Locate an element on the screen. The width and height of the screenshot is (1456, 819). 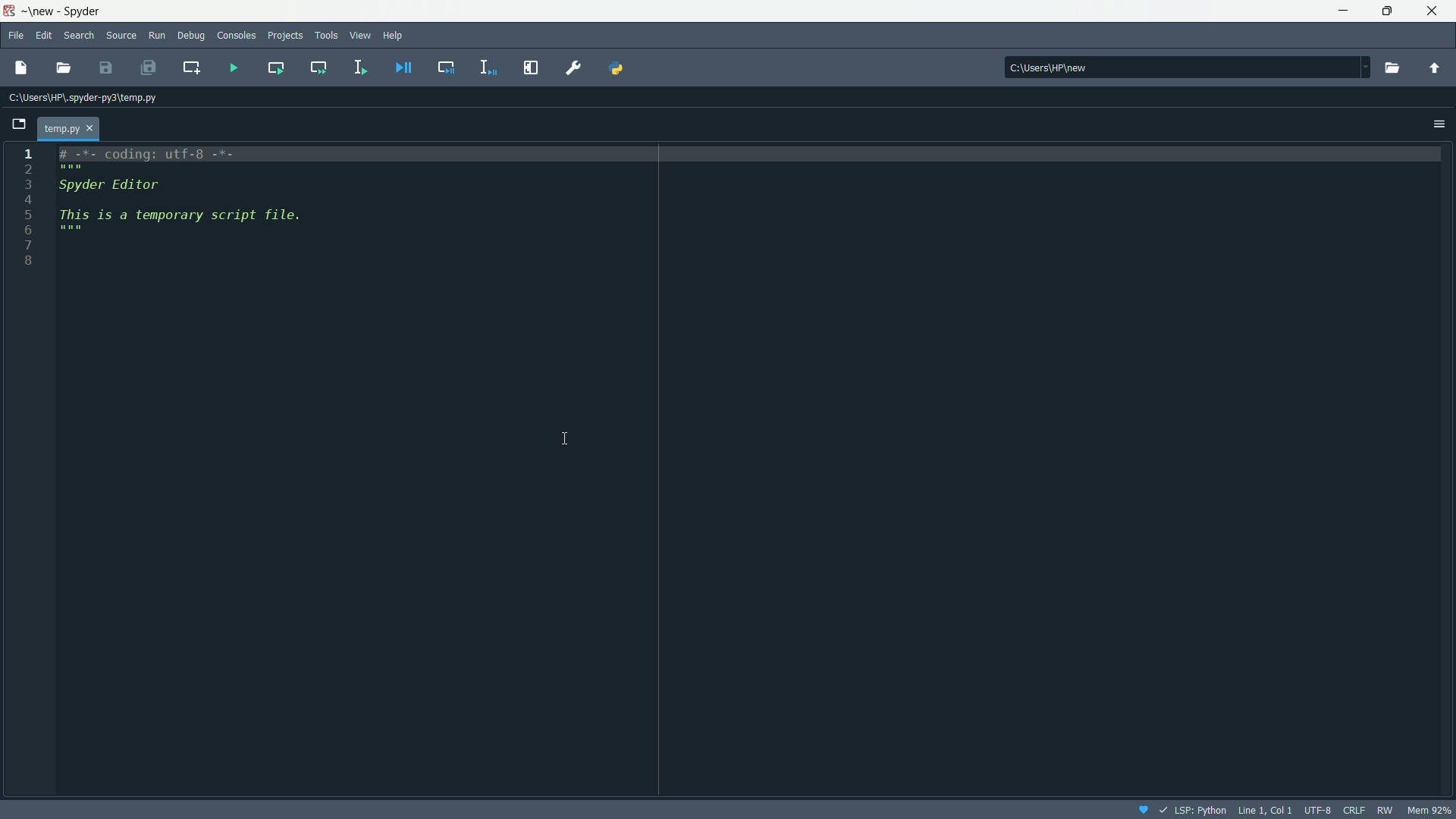
rw is located at coordinates (1385, 810).